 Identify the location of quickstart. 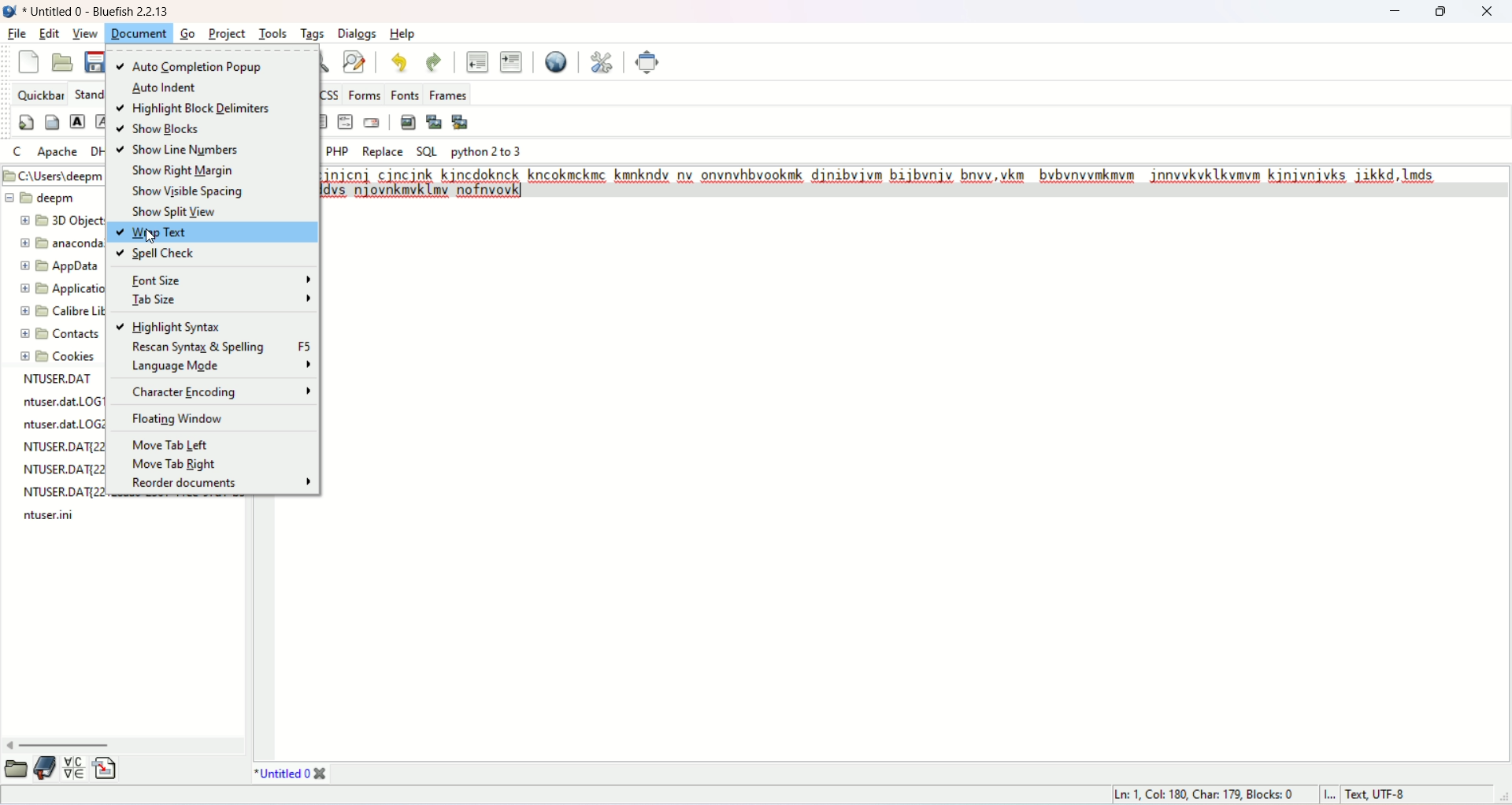
(25, 123).